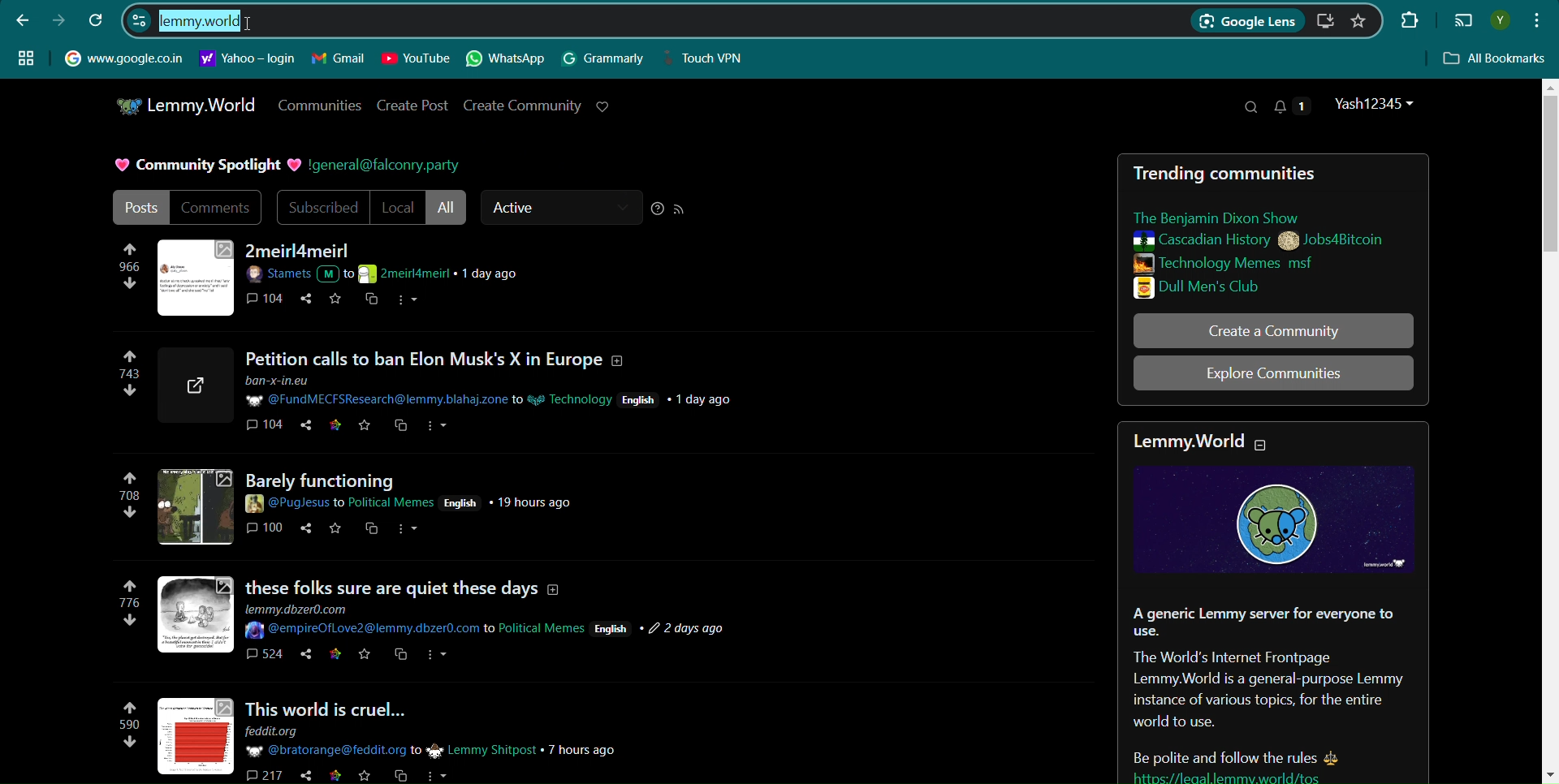  Describe the element at coordinates (409, 301) in the screenshot. I see `More` at that location.